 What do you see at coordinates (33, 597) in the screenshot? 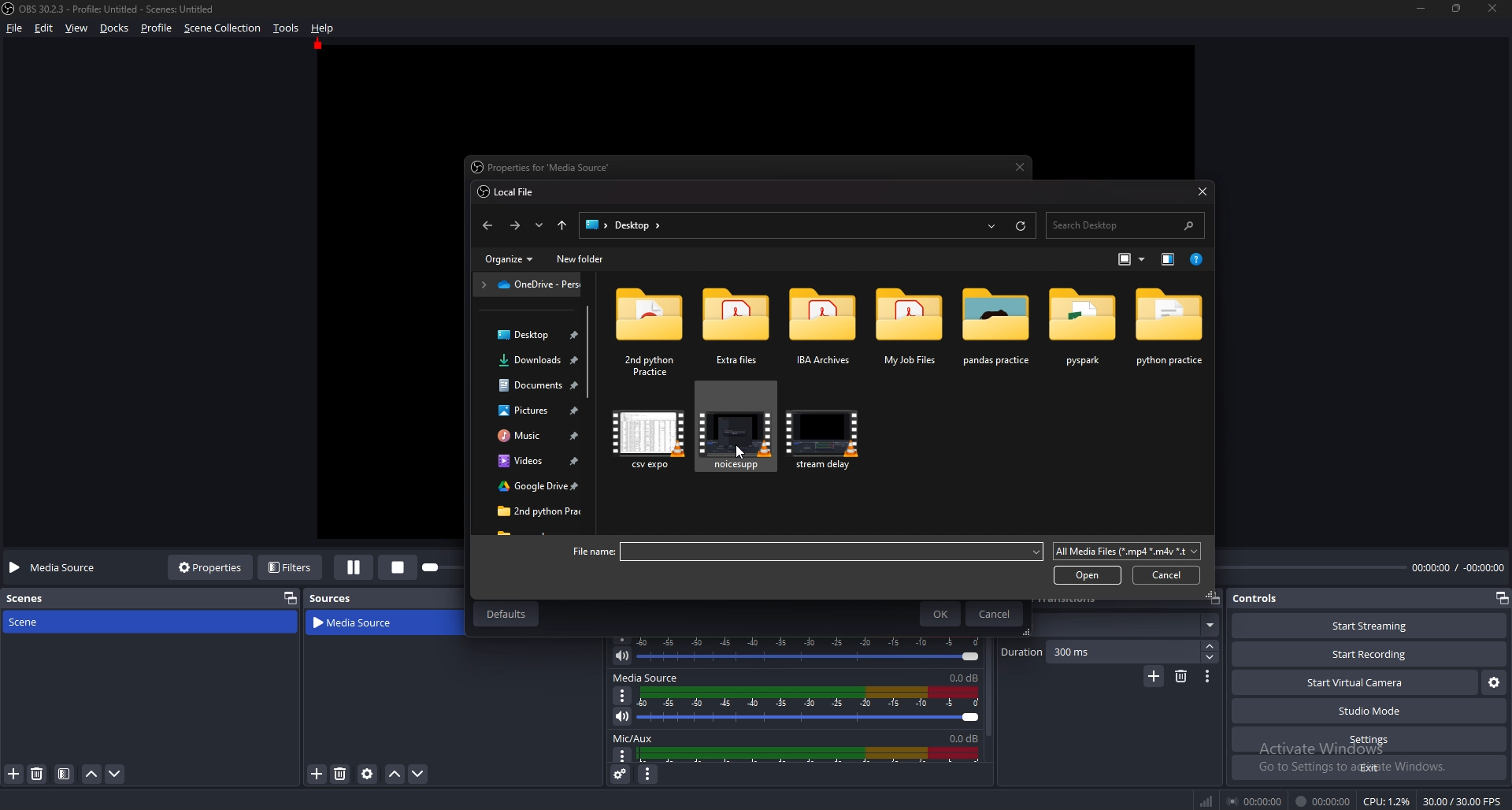
I see `scenes` at bounding box center [33, 597].